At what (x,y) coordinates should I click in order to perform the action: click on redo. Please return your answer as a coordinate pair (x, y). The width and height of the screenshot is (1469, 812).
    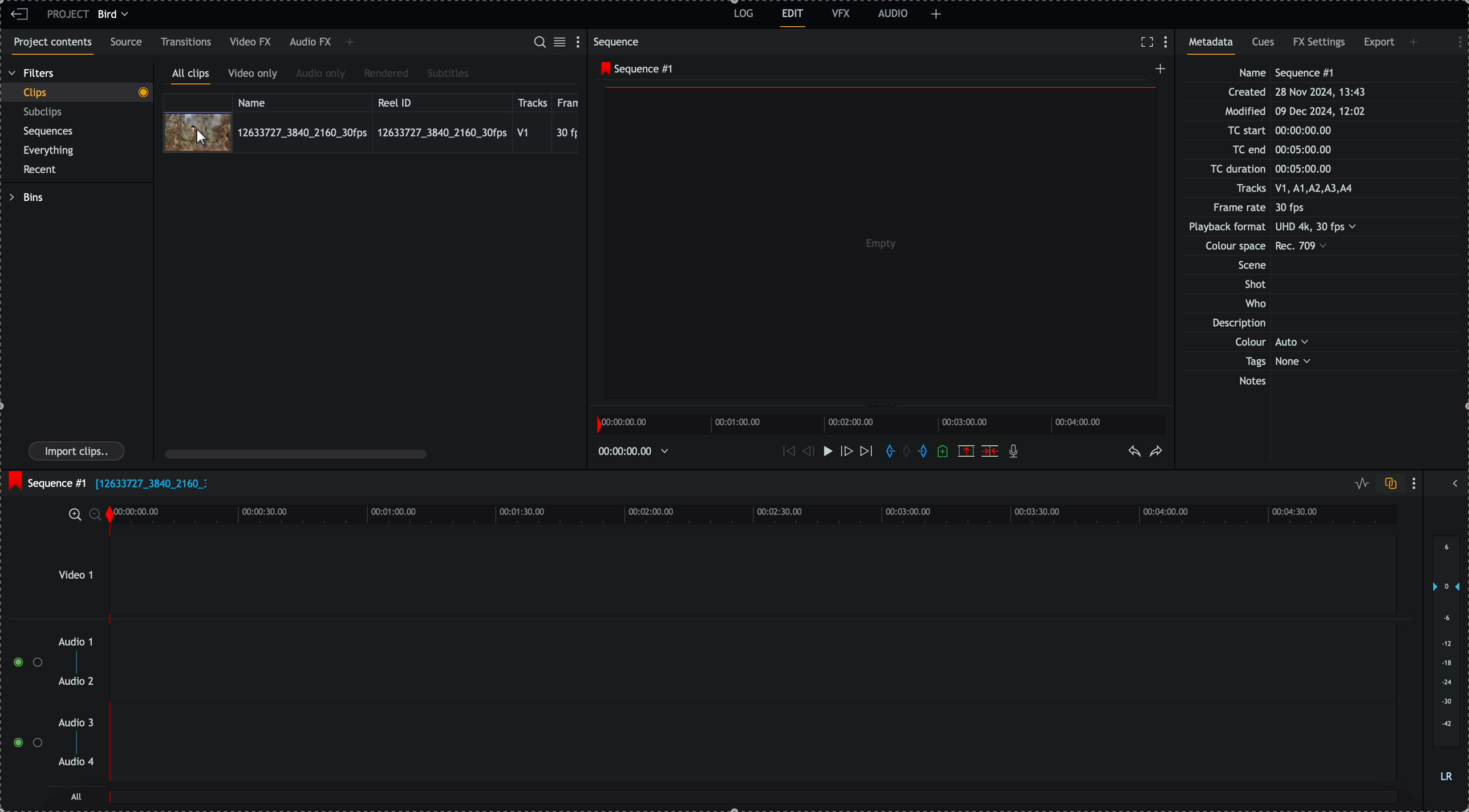
    Looking at the image, I should click on (1156, 452).